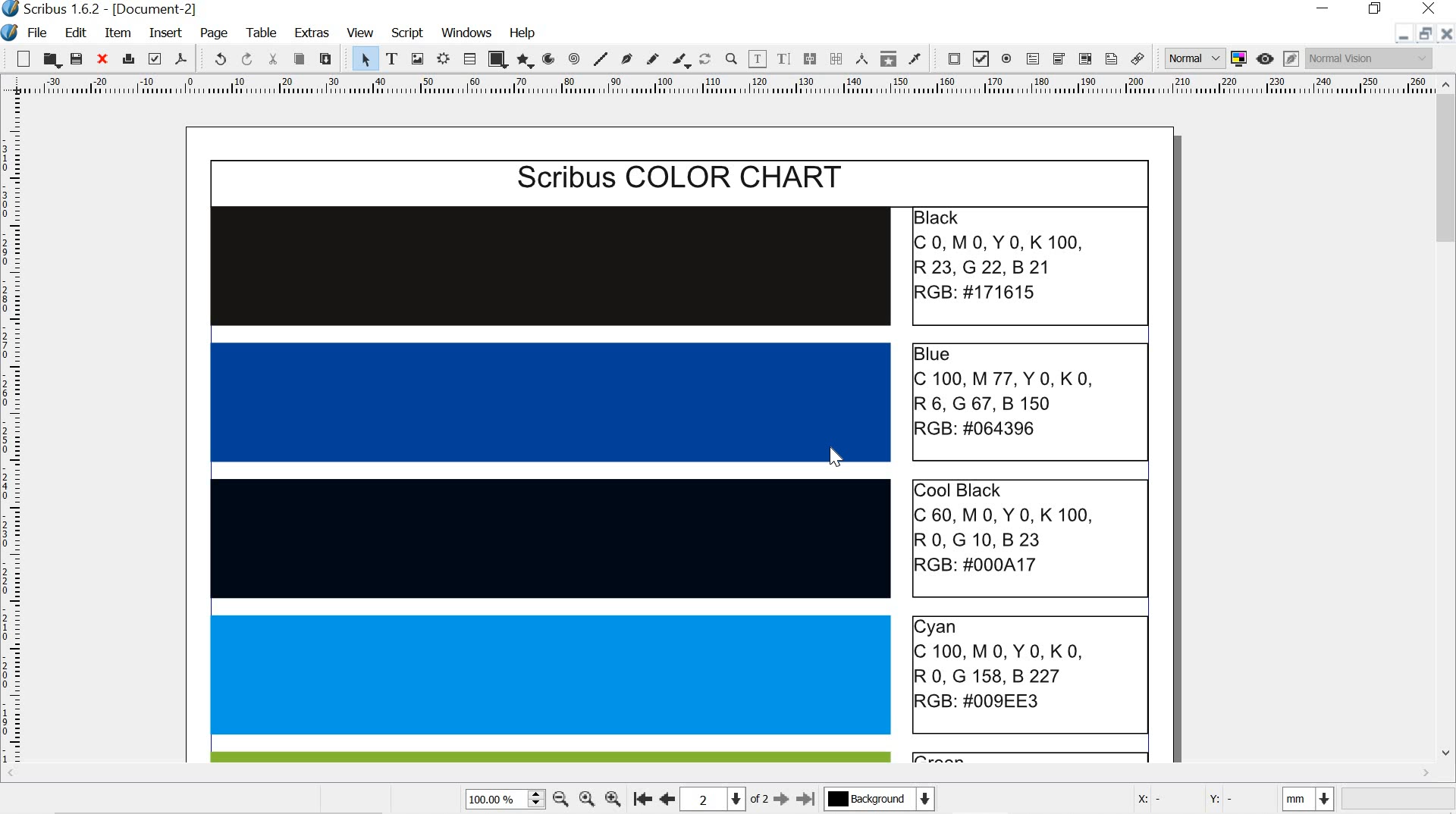 The width and height of the screenshot is (1456, 814). What do you see at coordinates (248, 59) in the screenshot?
I see `redo` at bounding box center [248, 59].